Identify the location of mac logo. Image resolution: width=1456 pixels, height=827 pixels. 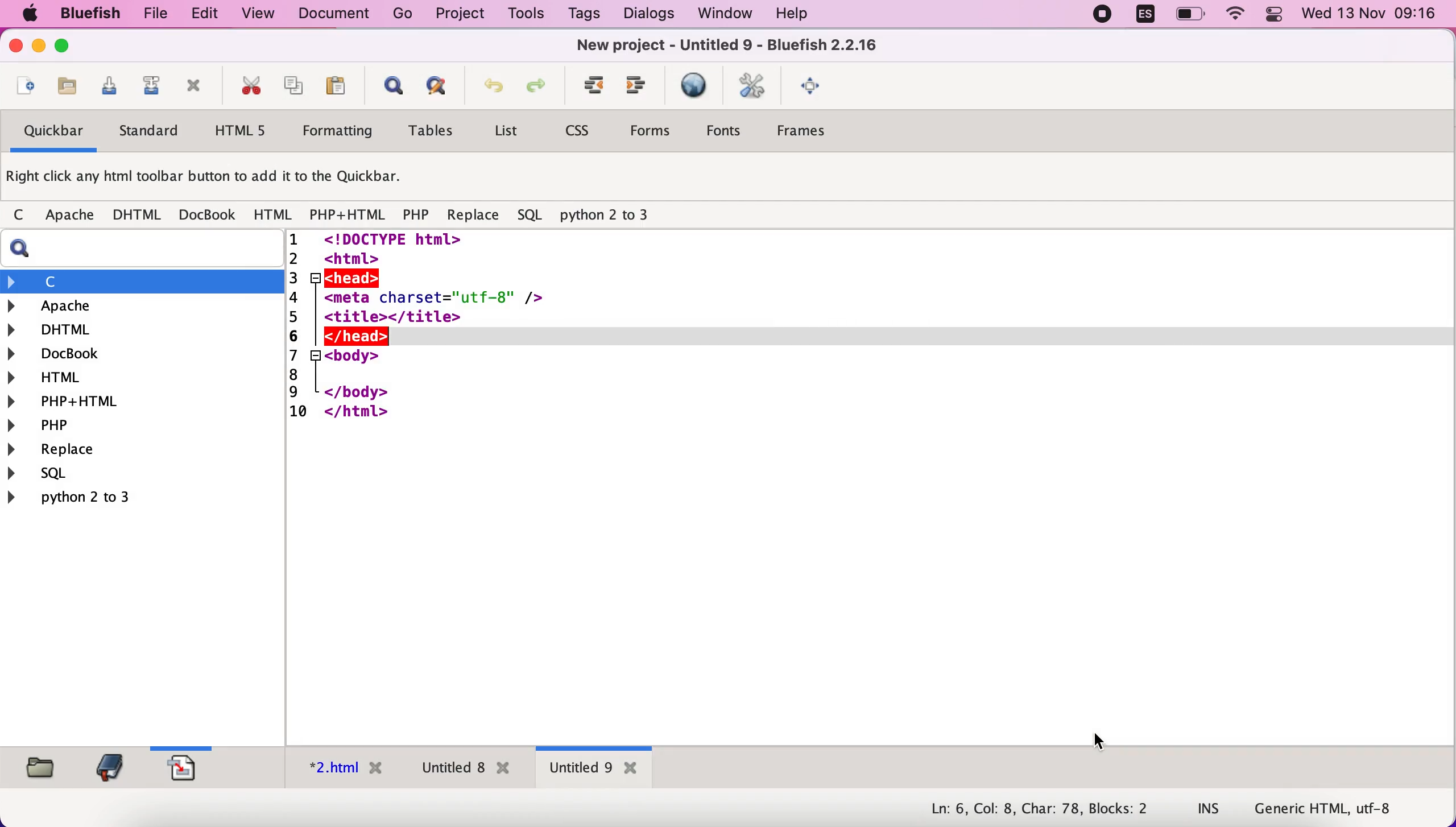
(27, 15).